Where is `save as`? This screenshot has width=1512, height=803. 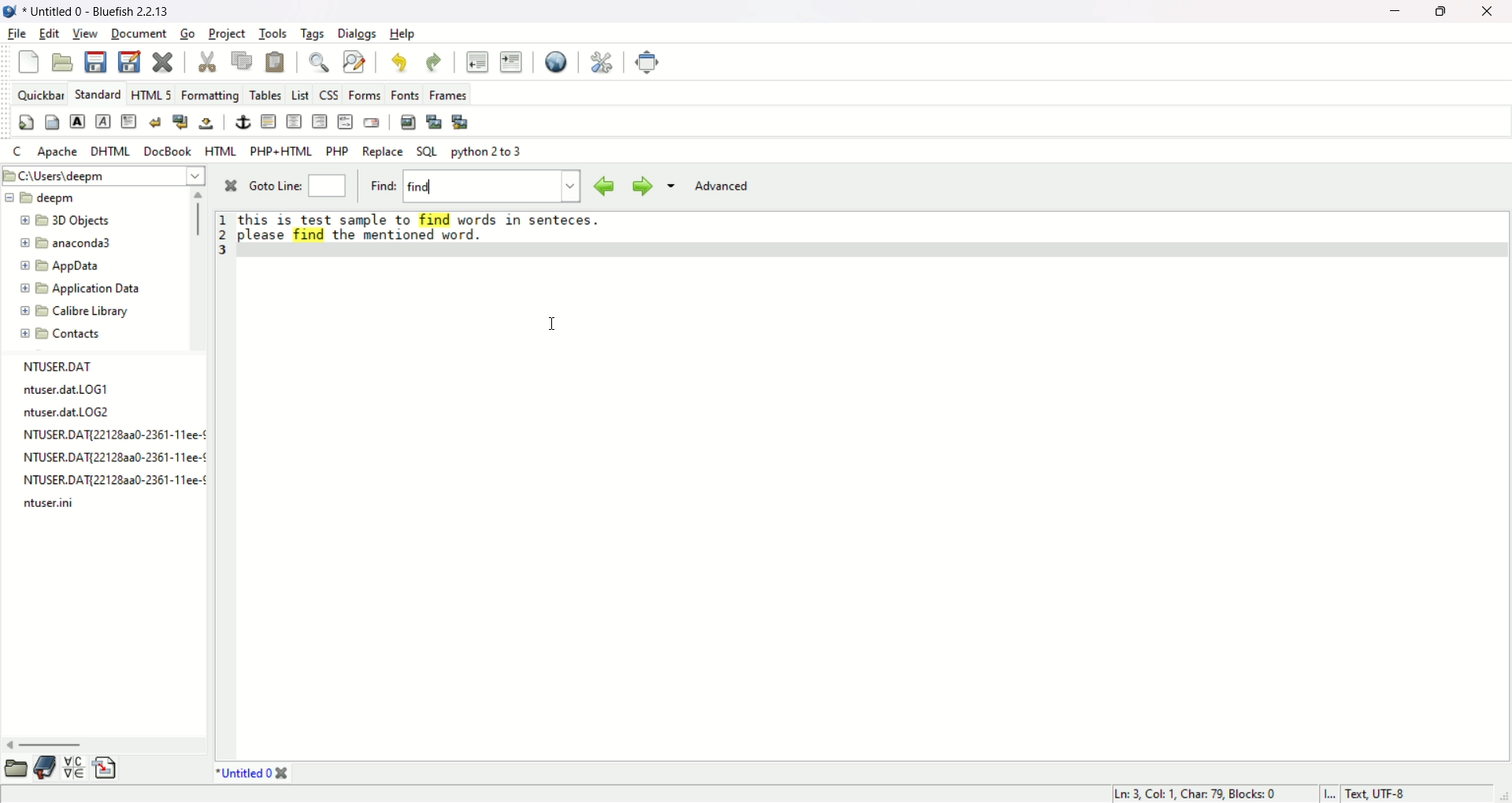
save as is located at coordinates (130, 62).